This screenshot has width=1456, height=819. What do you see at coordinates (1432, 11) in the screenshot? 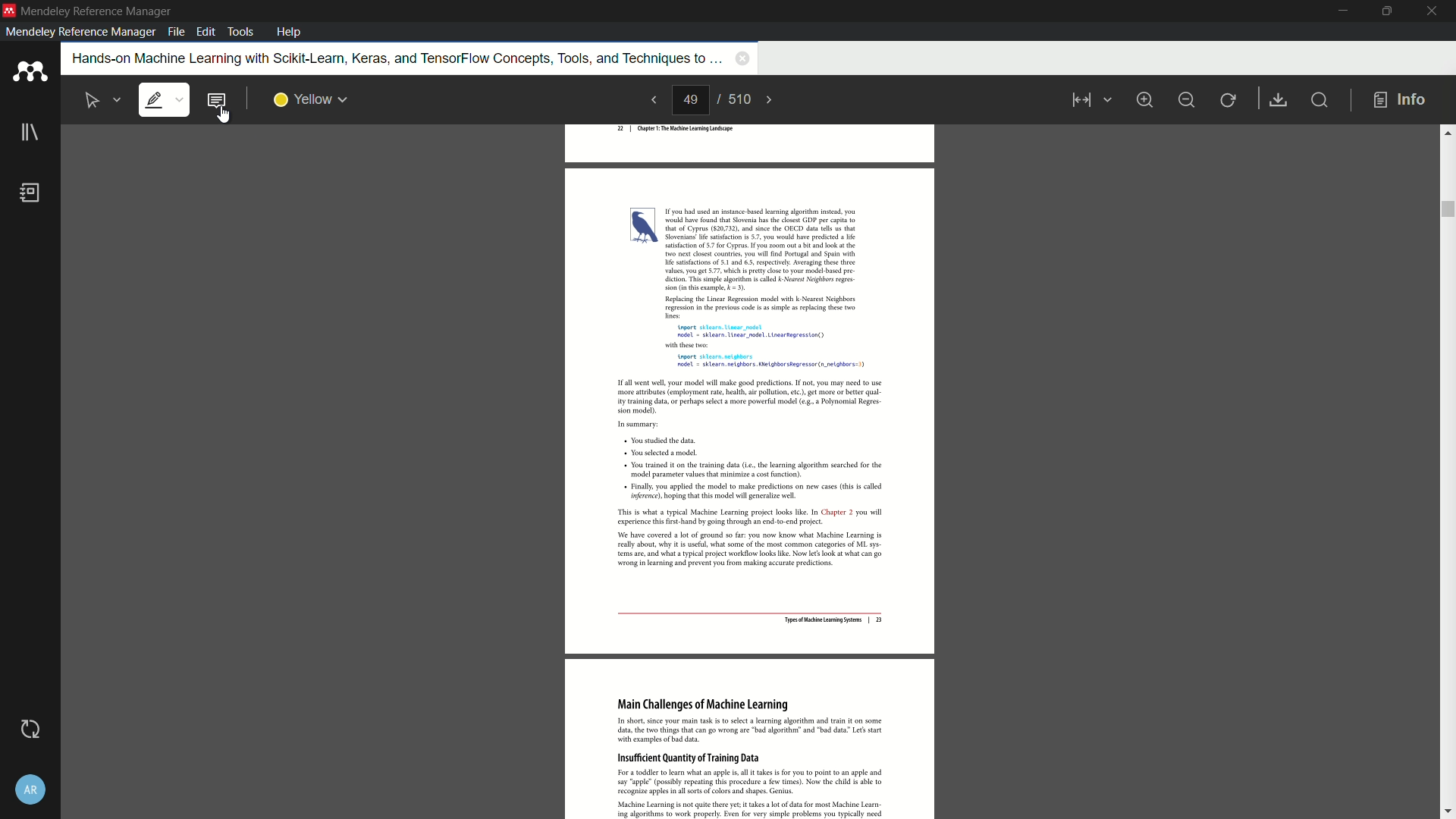
I see `close app` at bounding box center [1432, 11].